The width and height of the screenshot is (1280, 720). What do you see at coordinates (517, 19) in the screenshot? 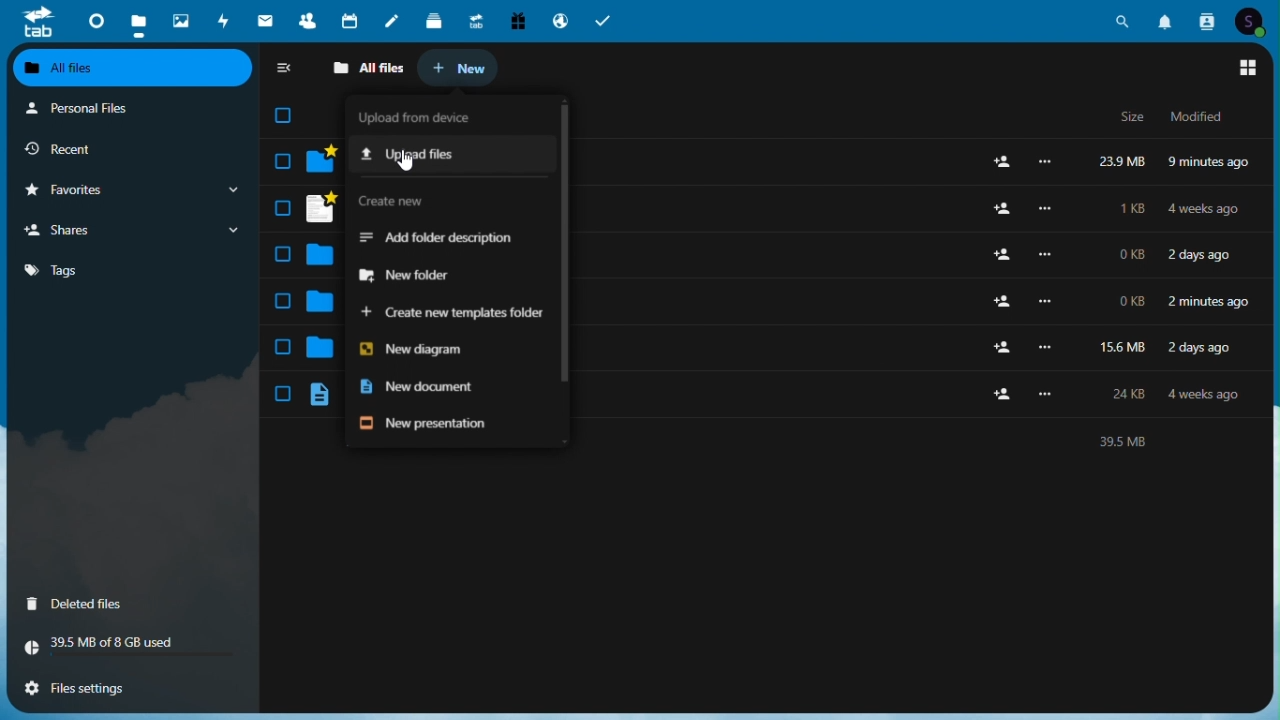
I see `free trail` at bounding box center [517, 19].